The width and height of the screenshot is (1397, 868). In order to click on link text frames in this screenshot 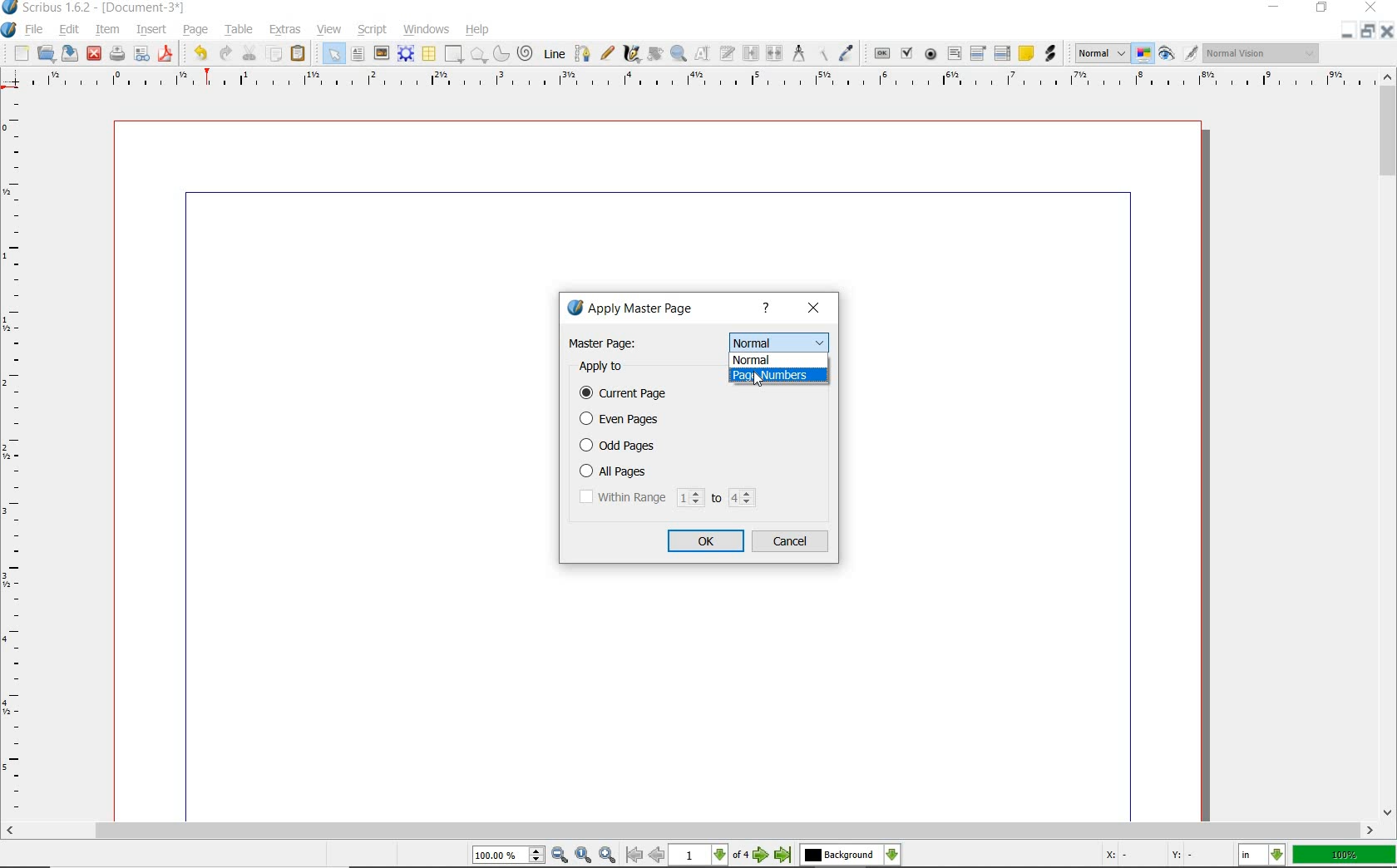, I will do `click(753, 53)`.